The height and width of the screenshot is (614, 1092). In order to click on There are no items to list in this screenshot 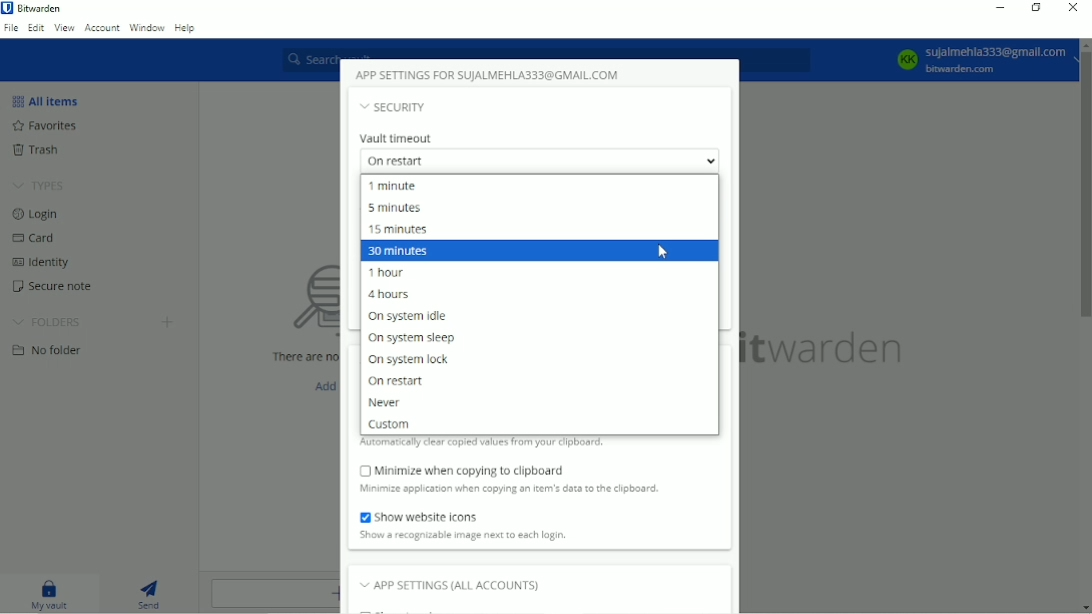, I will do `click(296, 357)`.